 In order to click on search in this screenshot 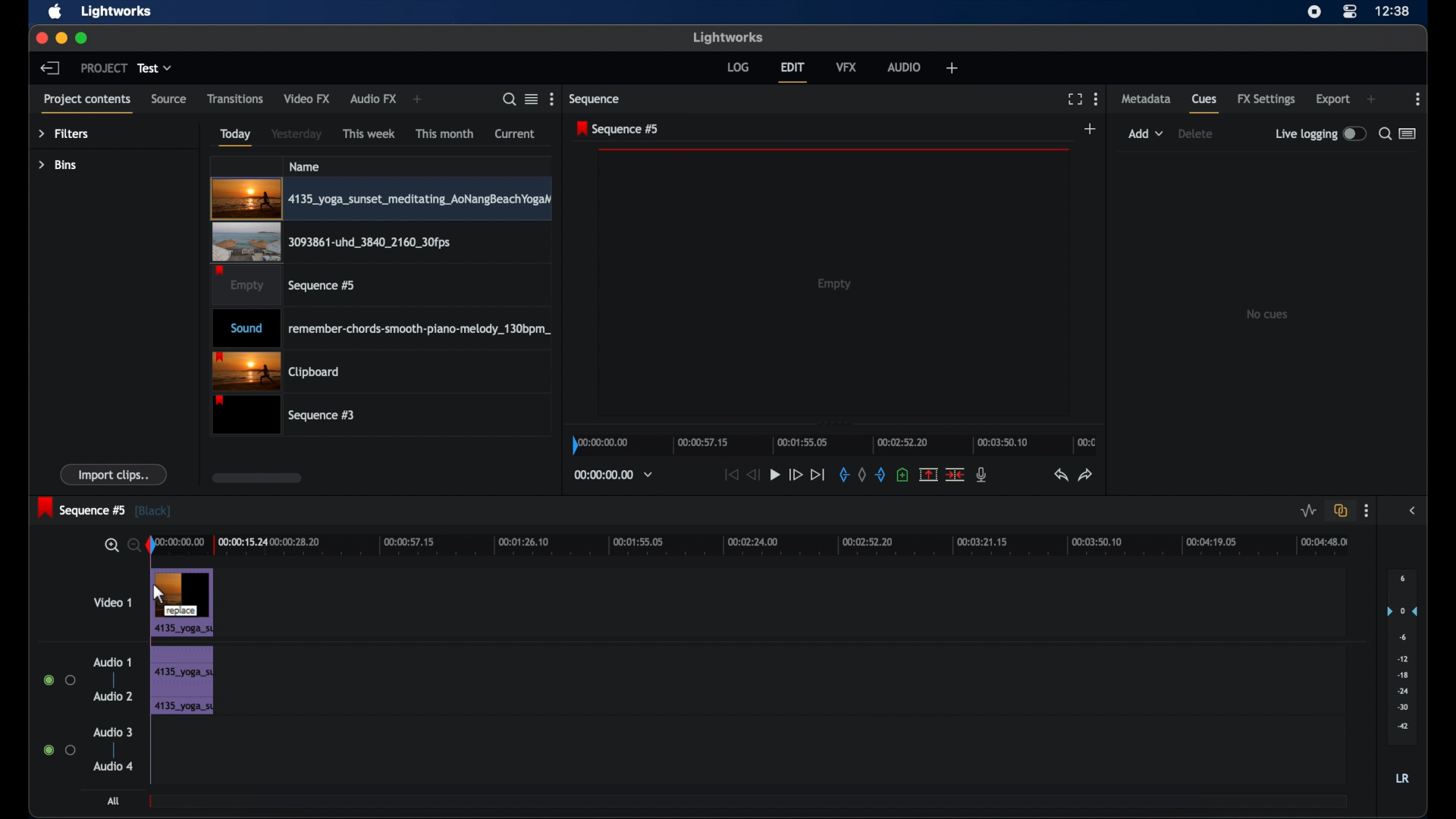, I will do `click(508, 99)`.